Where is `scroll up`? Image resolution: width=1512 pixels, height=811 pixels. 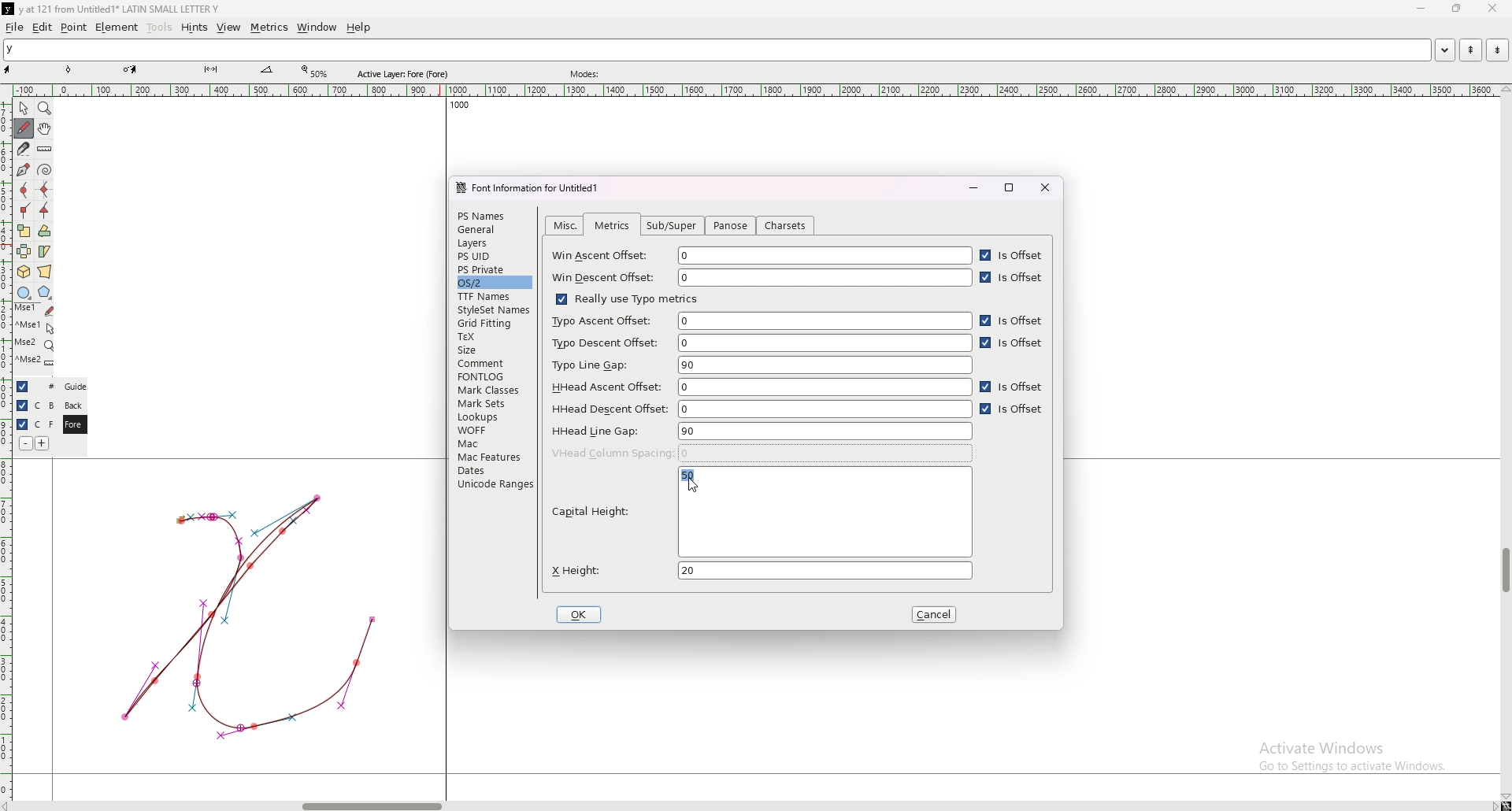 scroll up is located at coordinates (1503, 90).